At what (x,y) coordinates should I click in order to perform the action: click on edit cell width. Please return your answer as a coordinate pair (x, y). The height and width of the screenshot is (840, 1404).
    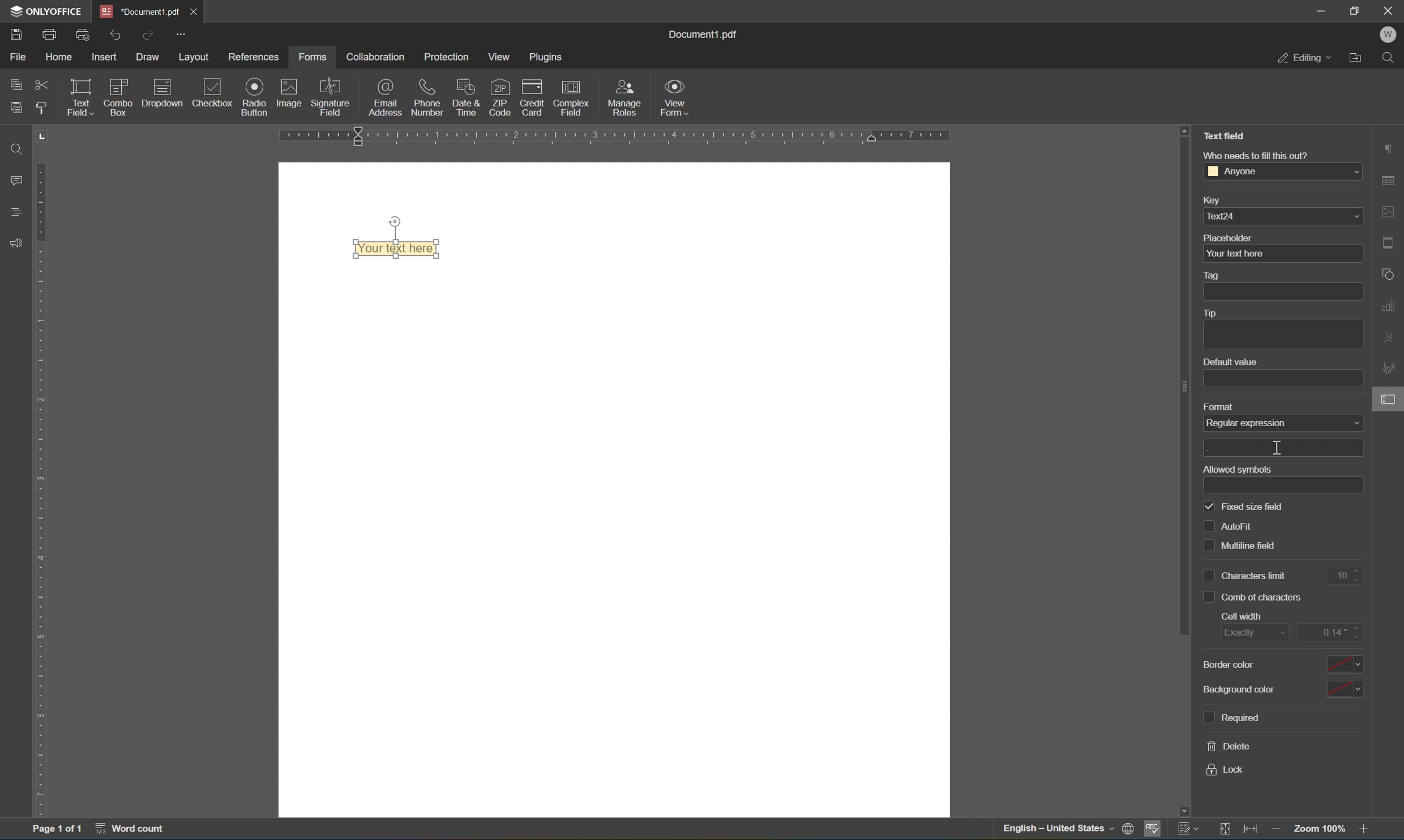
    Looking at the image, I should click on (1330, 632).